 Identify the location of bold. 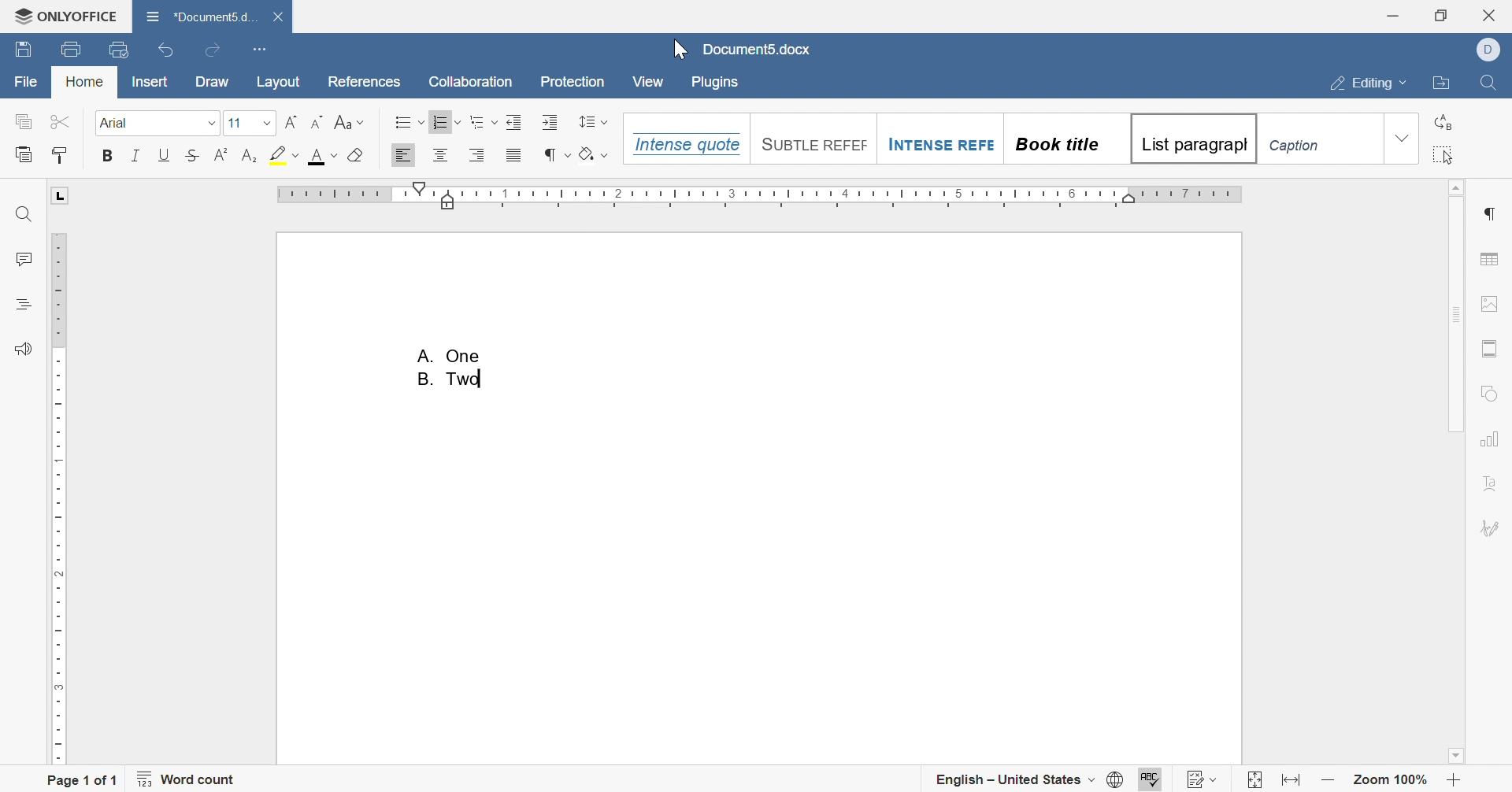
(107, 155).